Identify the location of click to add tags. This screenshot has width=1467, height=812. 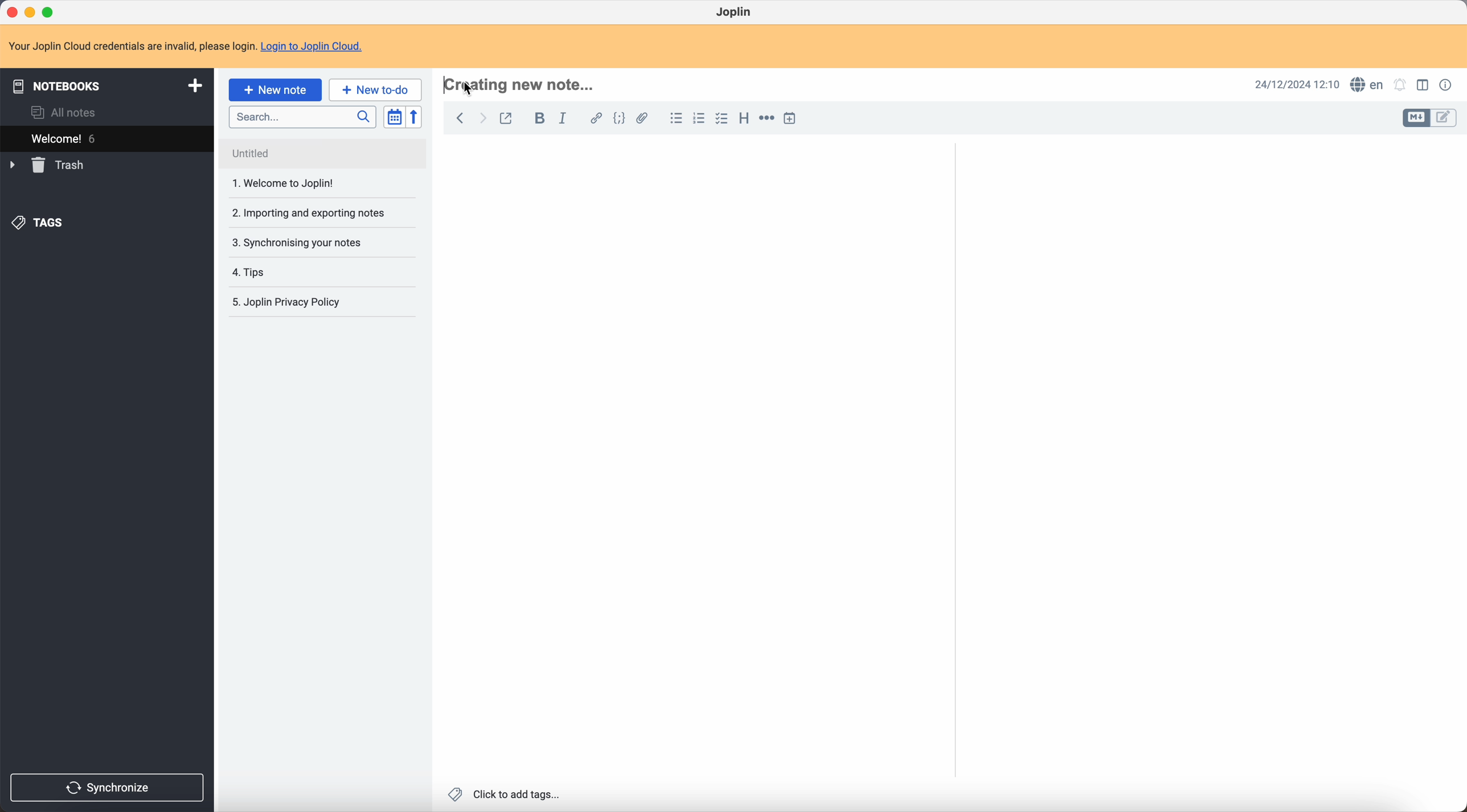
(506, 795).